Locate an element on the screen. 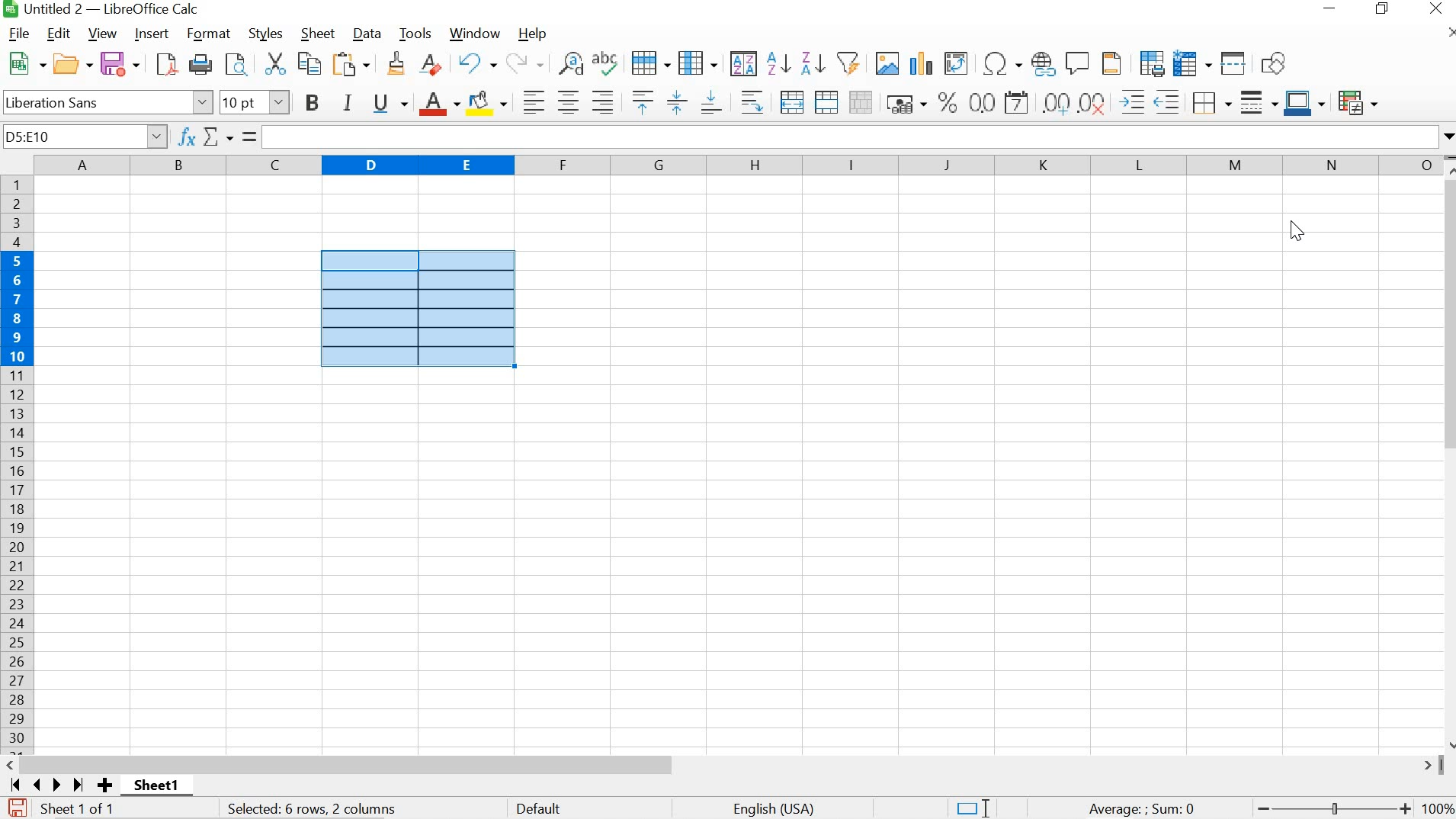 Image resolution: width=1456 pixels, height=819 pixels. formula is located at coordinates (1142, 810).